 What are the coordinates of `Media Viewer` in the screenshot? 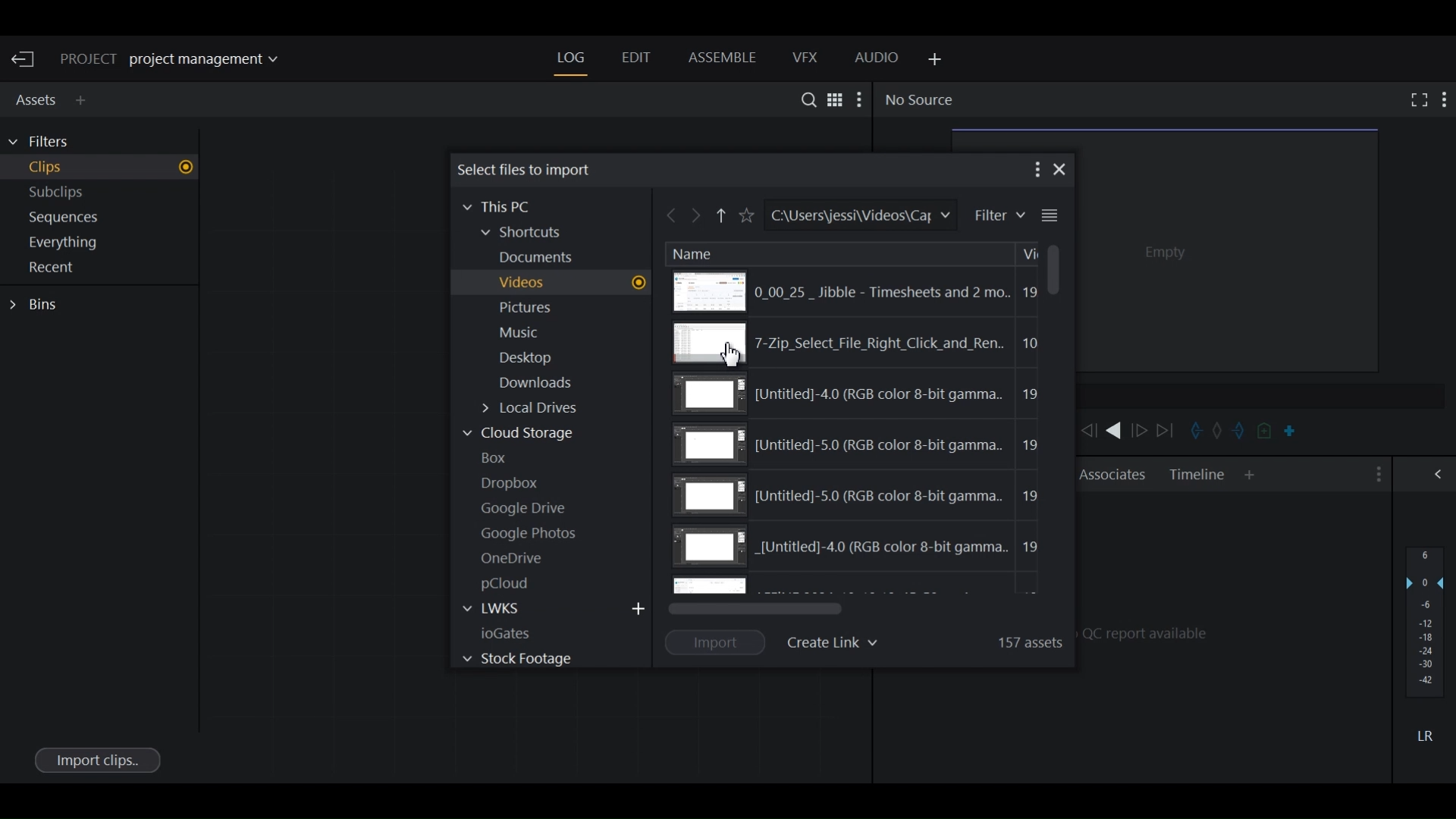 It's located at (1230, 248).